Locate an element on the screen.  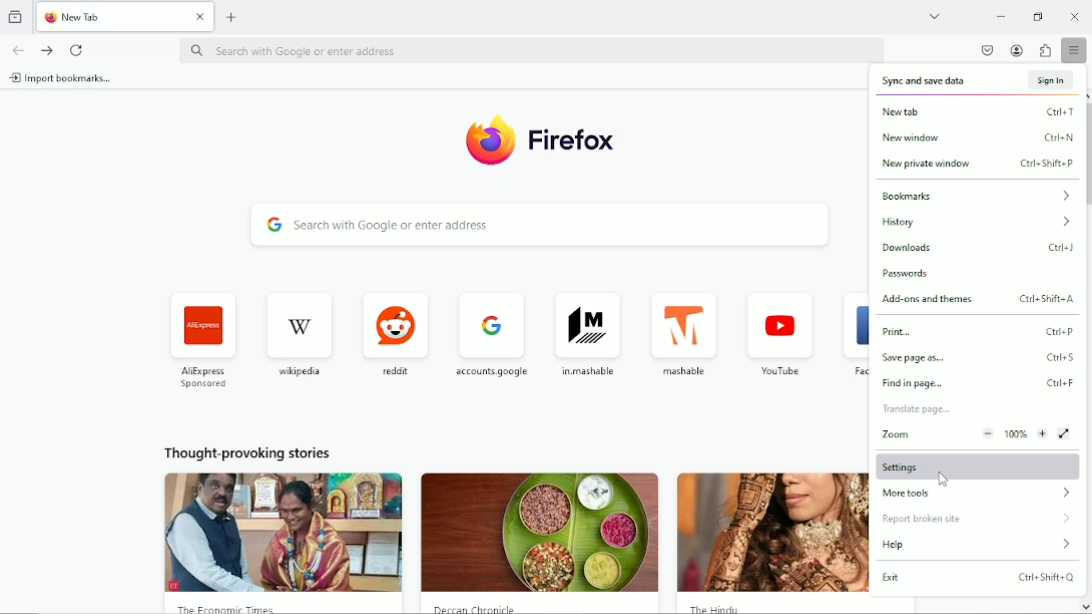
print is located at coordinates (977, 333).